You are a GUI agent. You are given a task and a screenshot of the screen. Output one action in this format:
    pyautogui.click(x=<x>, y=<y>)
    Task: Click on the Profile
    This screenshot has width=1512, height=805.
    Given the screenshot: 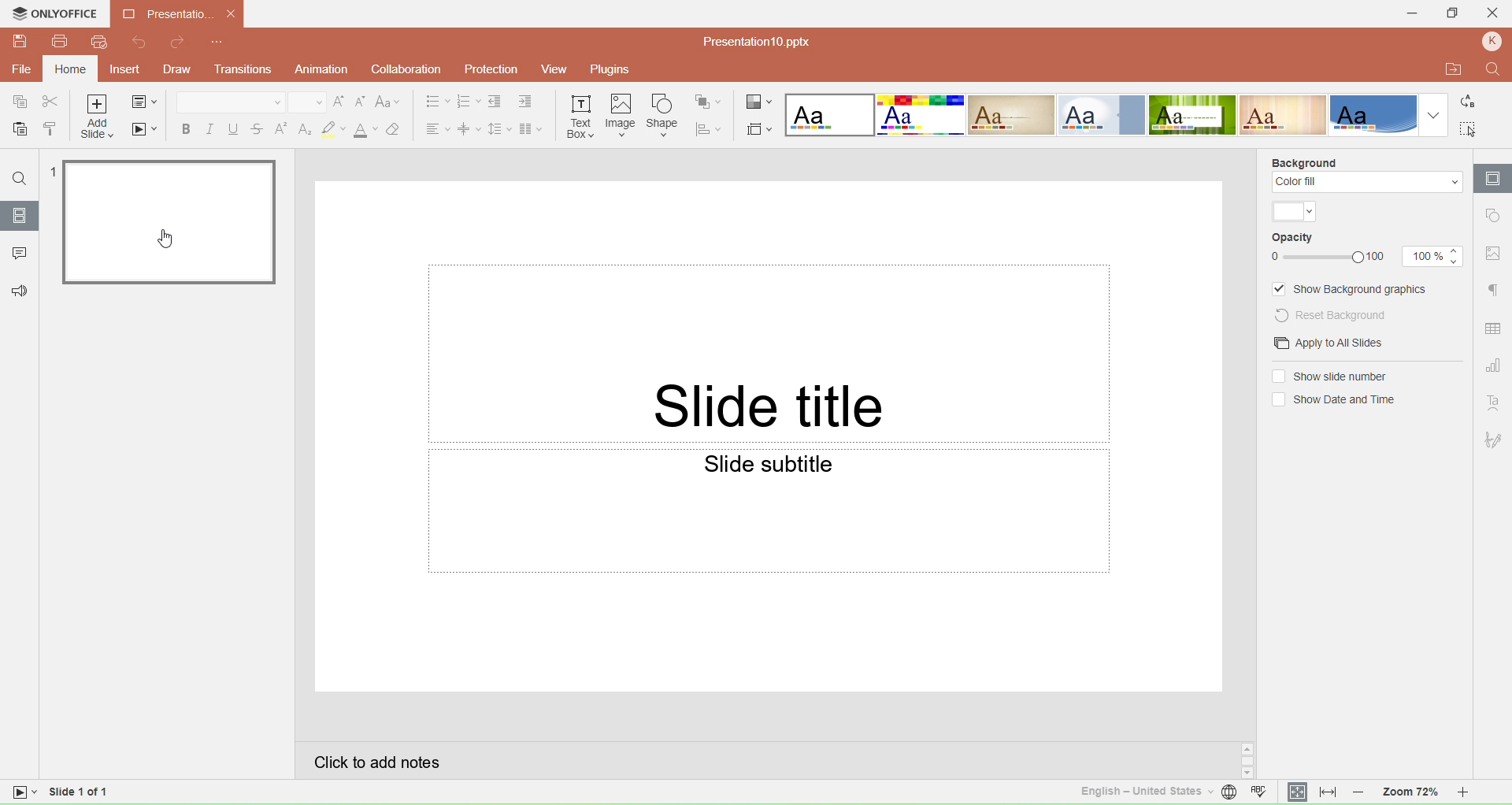 What is the action you would take?
    pyautogui.click(x=1492, y=43)
    